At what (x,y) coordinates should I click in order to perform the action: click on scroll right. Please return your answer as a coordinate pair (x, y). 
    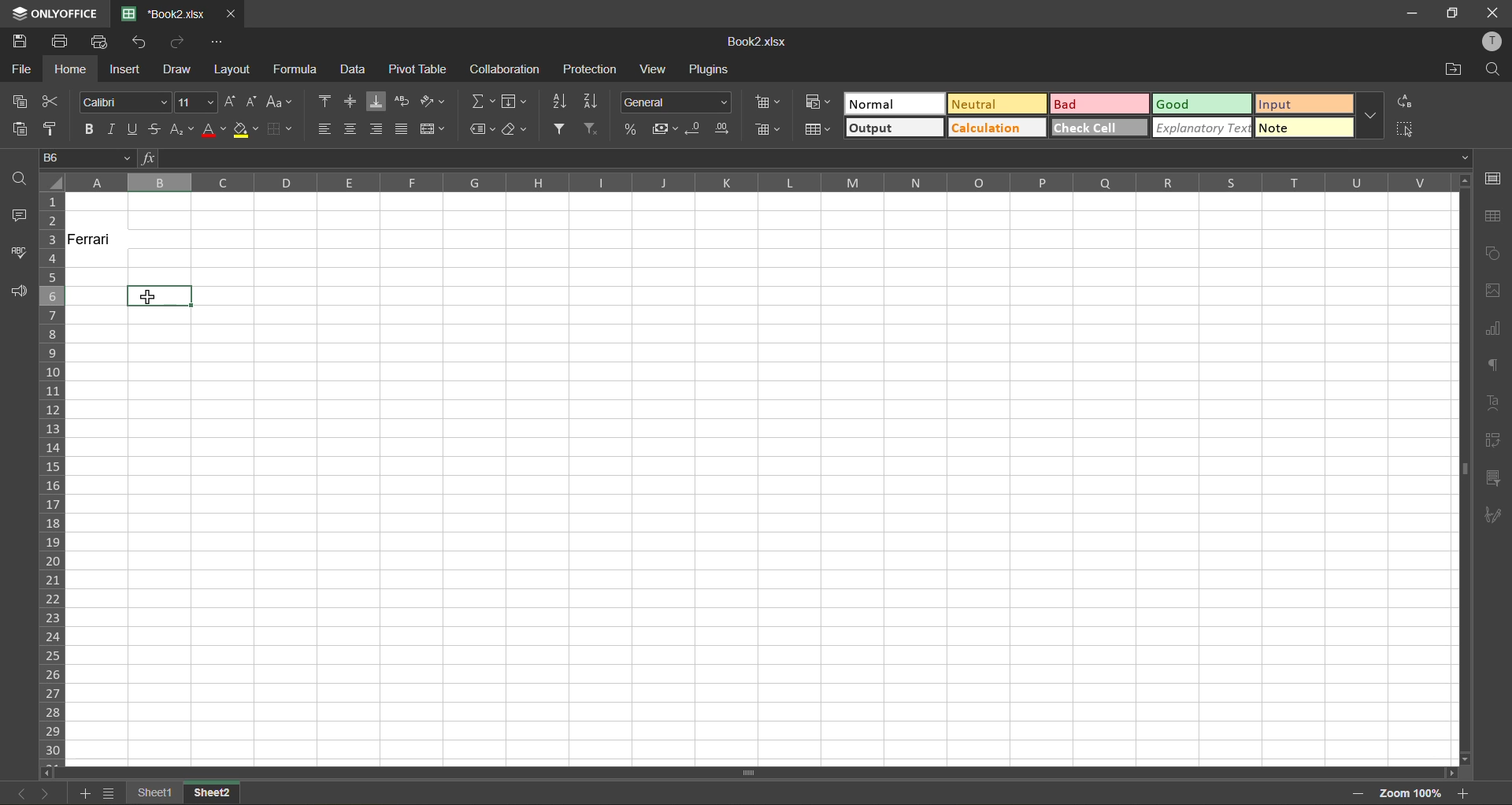
    Looking at the image, I should click on (1449, 773).